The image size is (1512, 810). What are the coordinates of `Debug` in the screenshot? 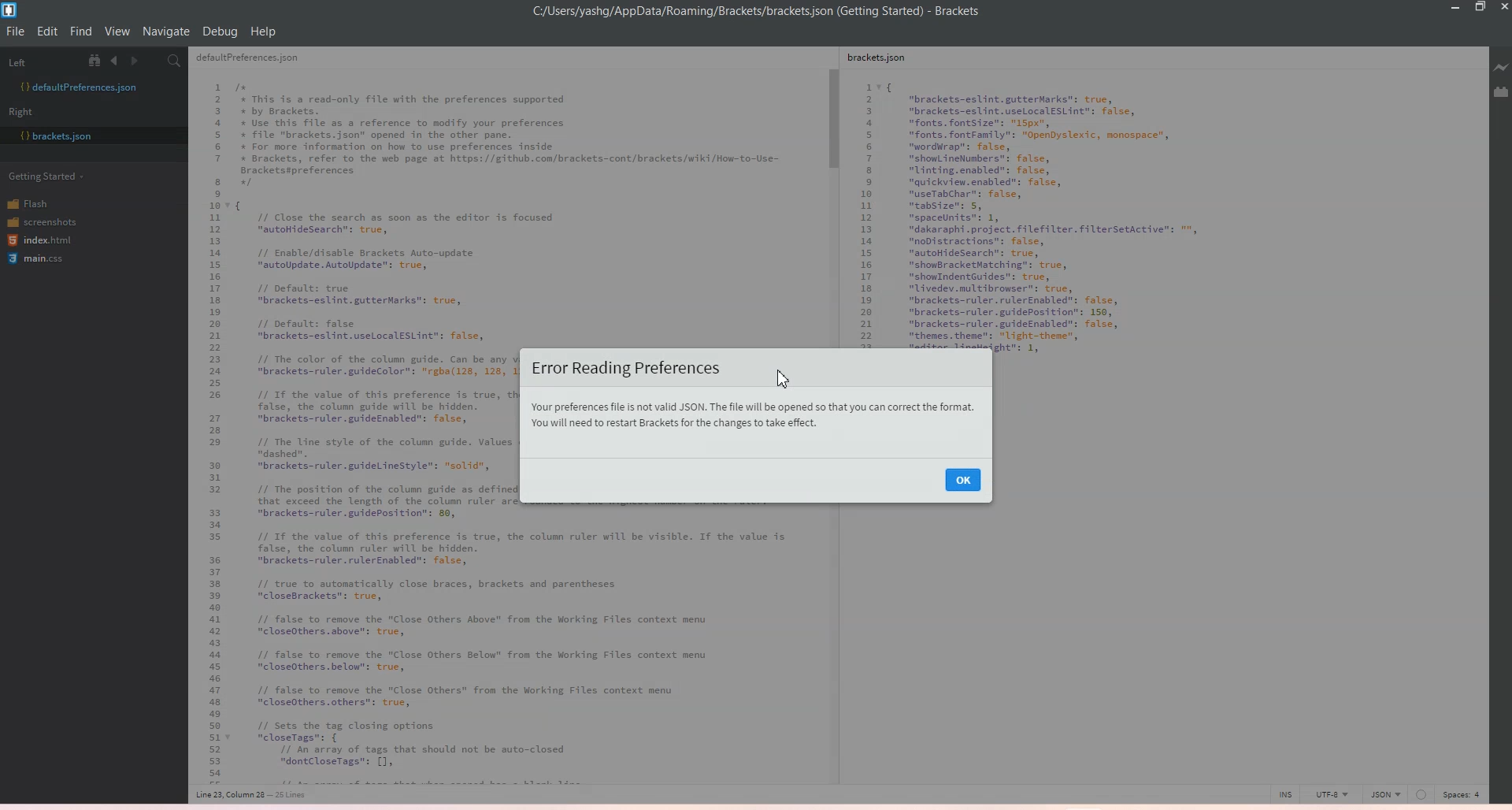 It's located at (220, 32).